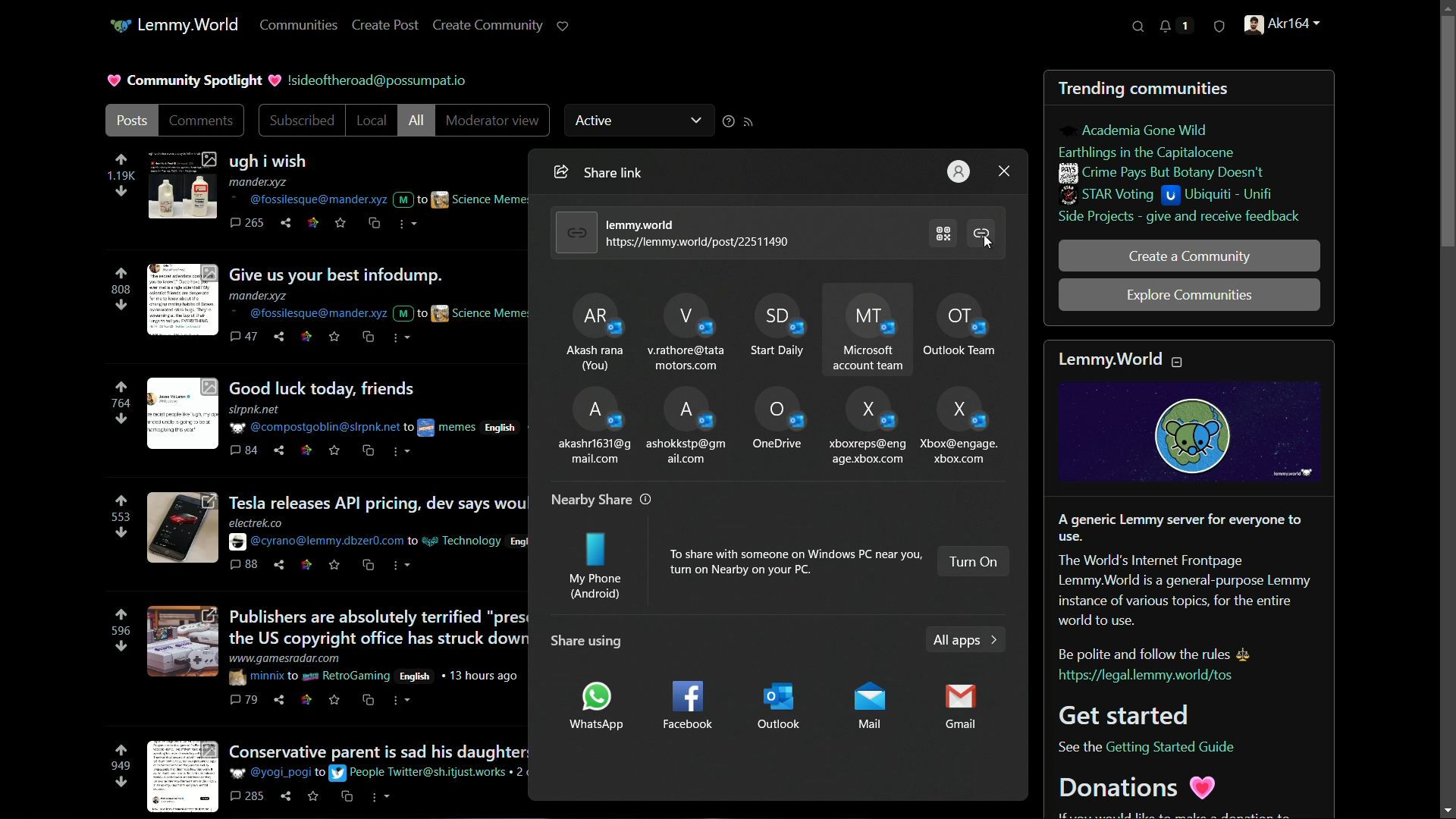 Image resolution: width=1456 pixels, height=819 pixels. I want to click on more actions, so click(405, 453).